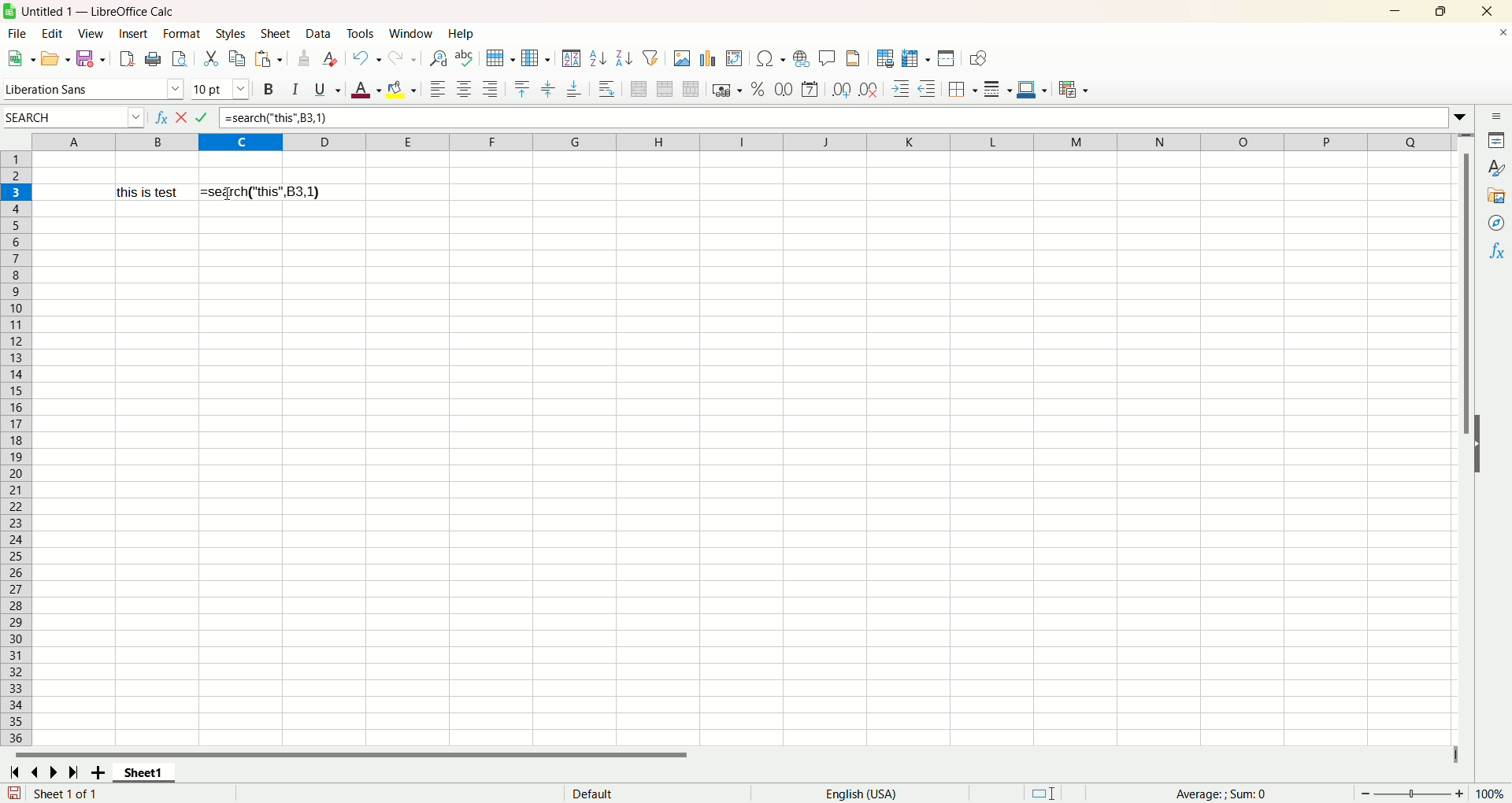 The width and height of the screenshot is (1512, 803). What do you see at coordinates (1077, 91) in the screenshot?
I see `conditional formatting` at bounding box center [1077, 91].